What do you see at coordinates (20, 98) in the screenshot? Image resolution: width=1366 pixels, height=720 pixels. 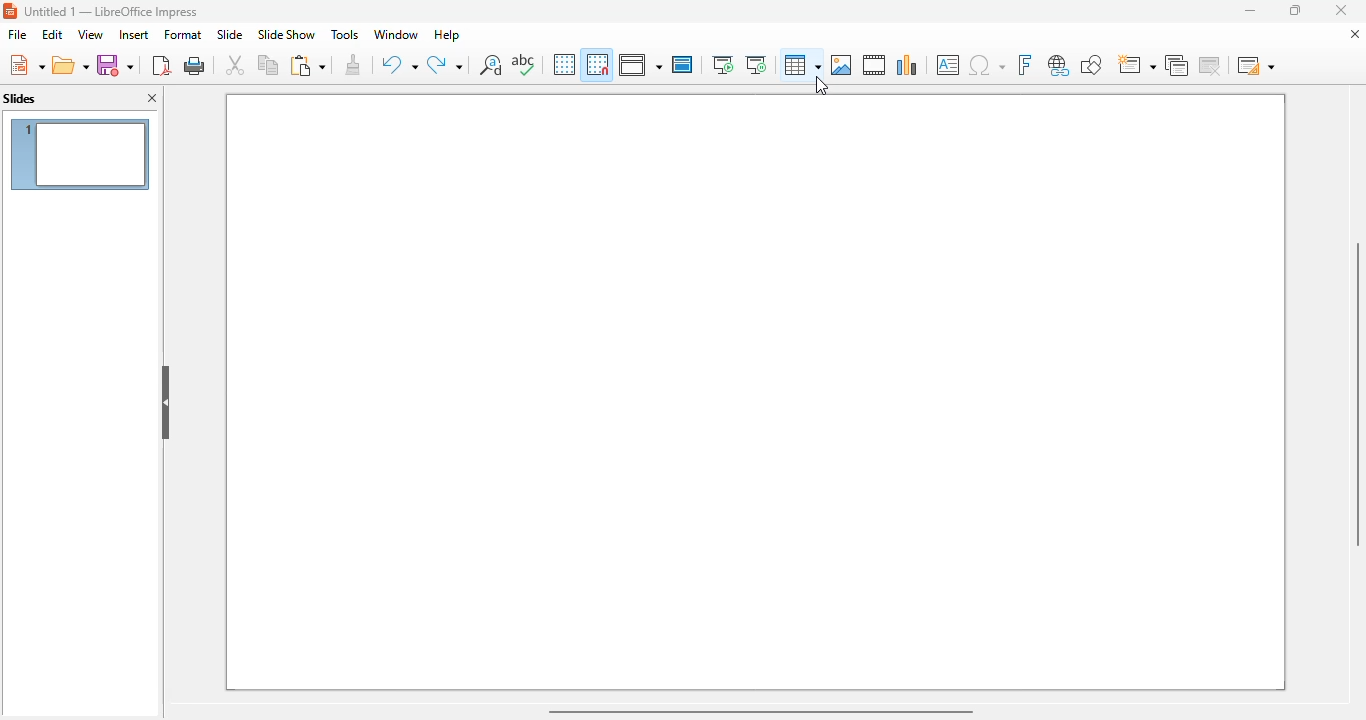 I see `slides` at bounding box center [20, 98].